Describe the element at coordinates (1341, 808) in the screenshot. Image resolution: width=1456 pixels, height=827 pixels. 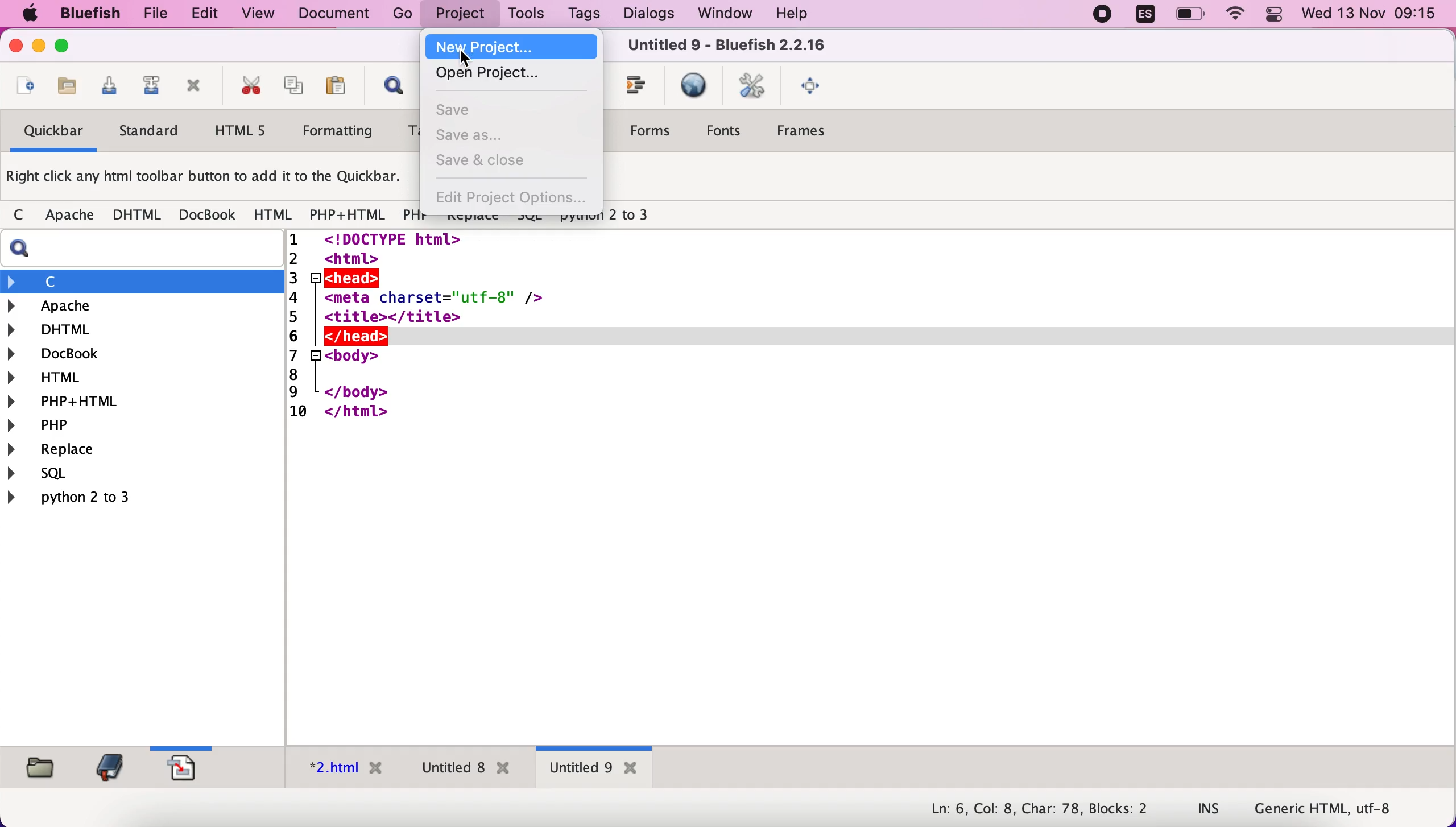
I see `generic html` at that location.